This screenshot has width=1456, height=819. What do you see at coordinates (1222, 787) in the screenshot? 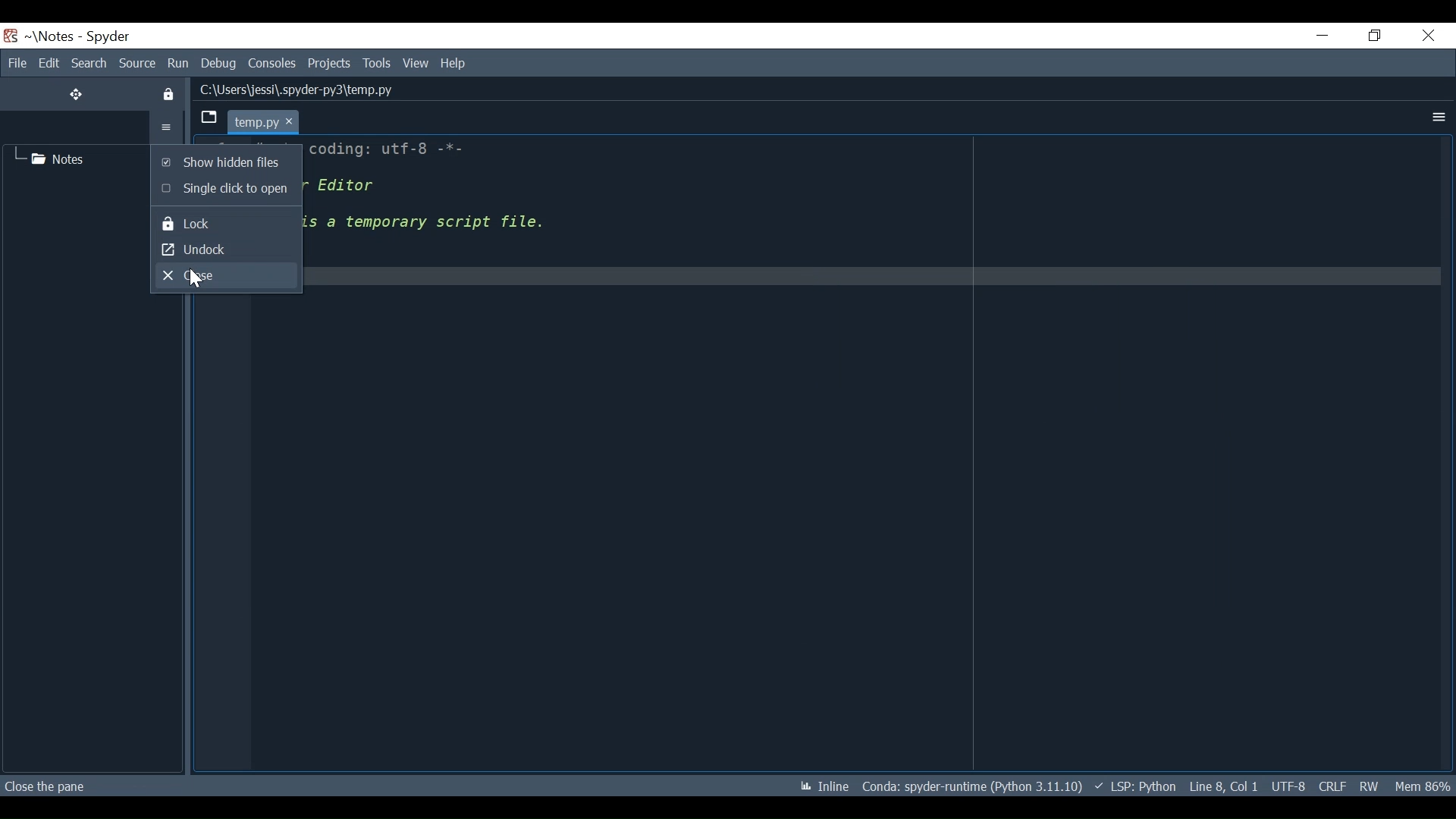
I see `Line 8, Col 1` at bounding box center [1222, 787].